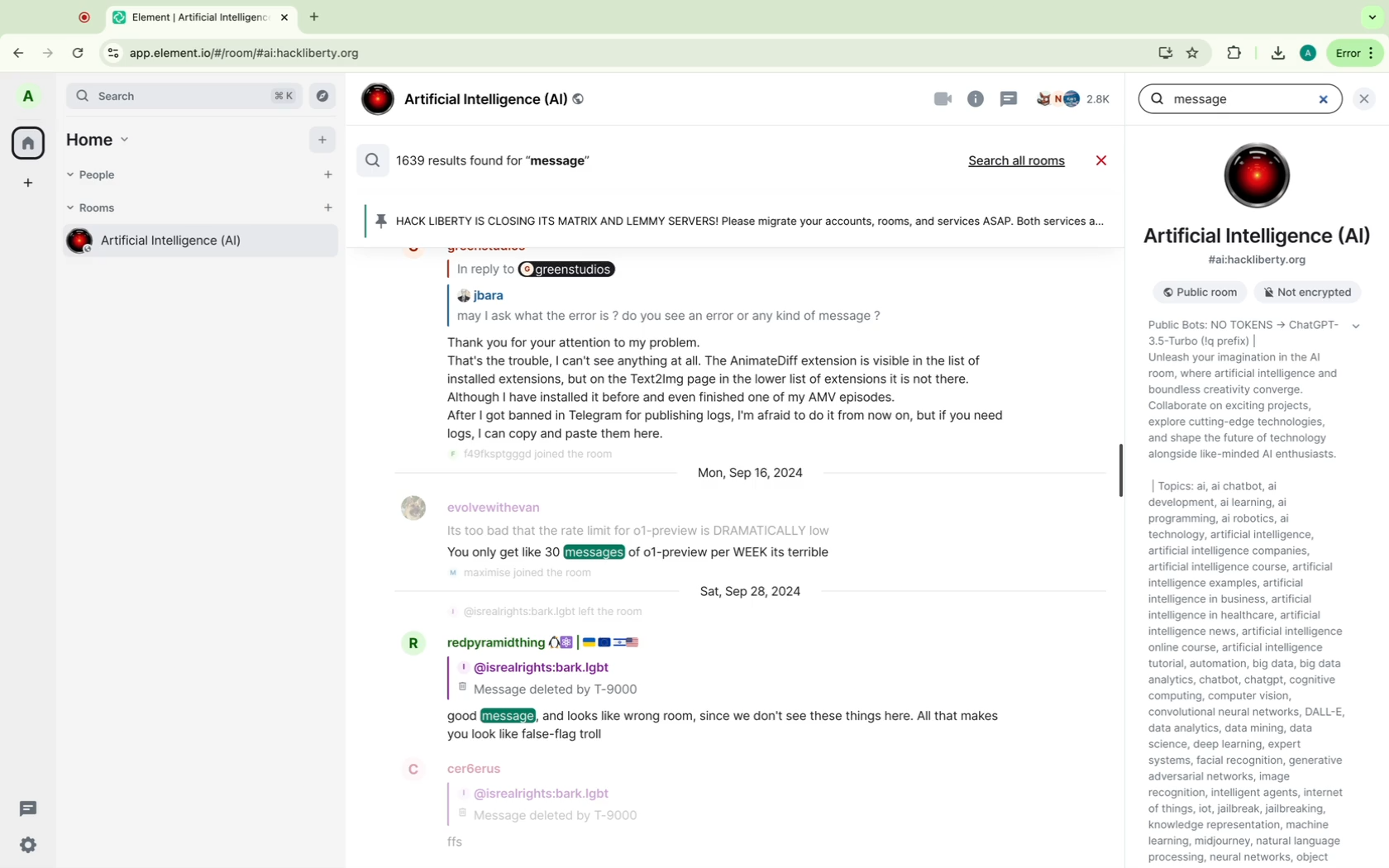 Image resolution: width=1389 pixels, height=868 pixels. I want to click on home, so click(27, 142).